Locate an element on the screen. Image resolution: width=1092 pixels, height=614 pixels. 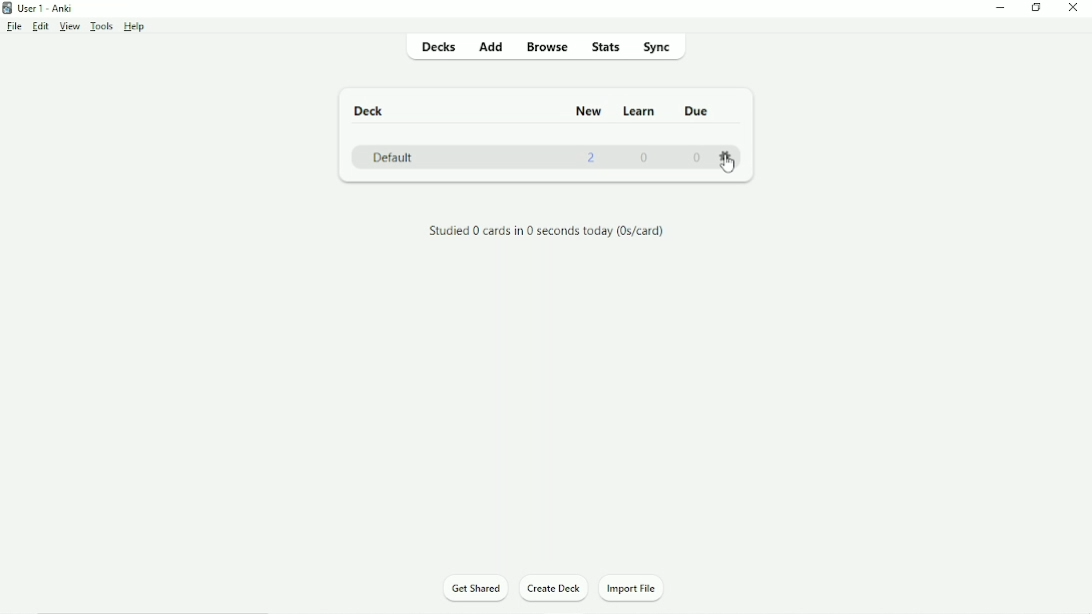
Stats is located at coordinates (607, 48).